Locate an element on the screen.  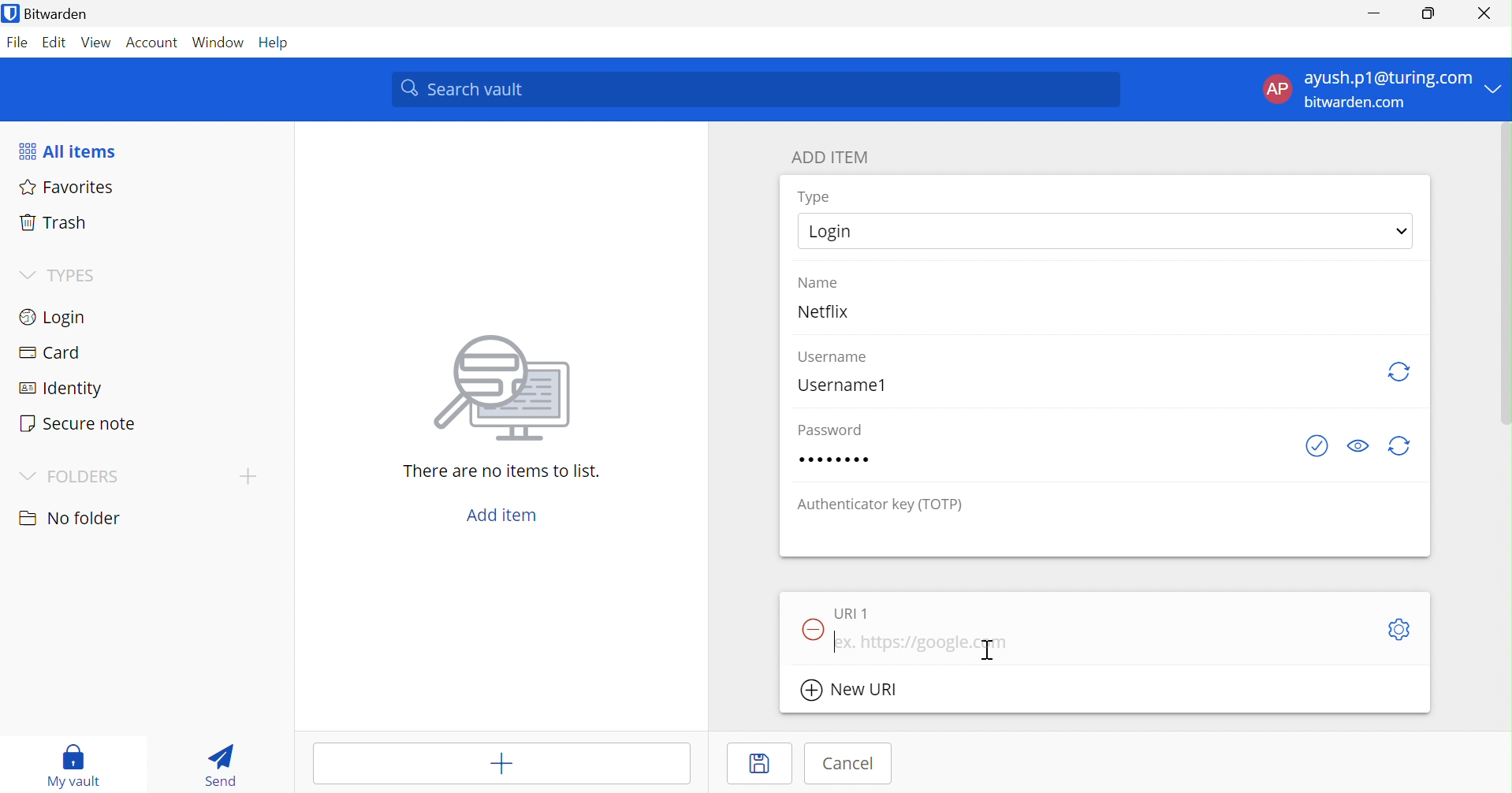
Close is located at coordinates (1484, 13).